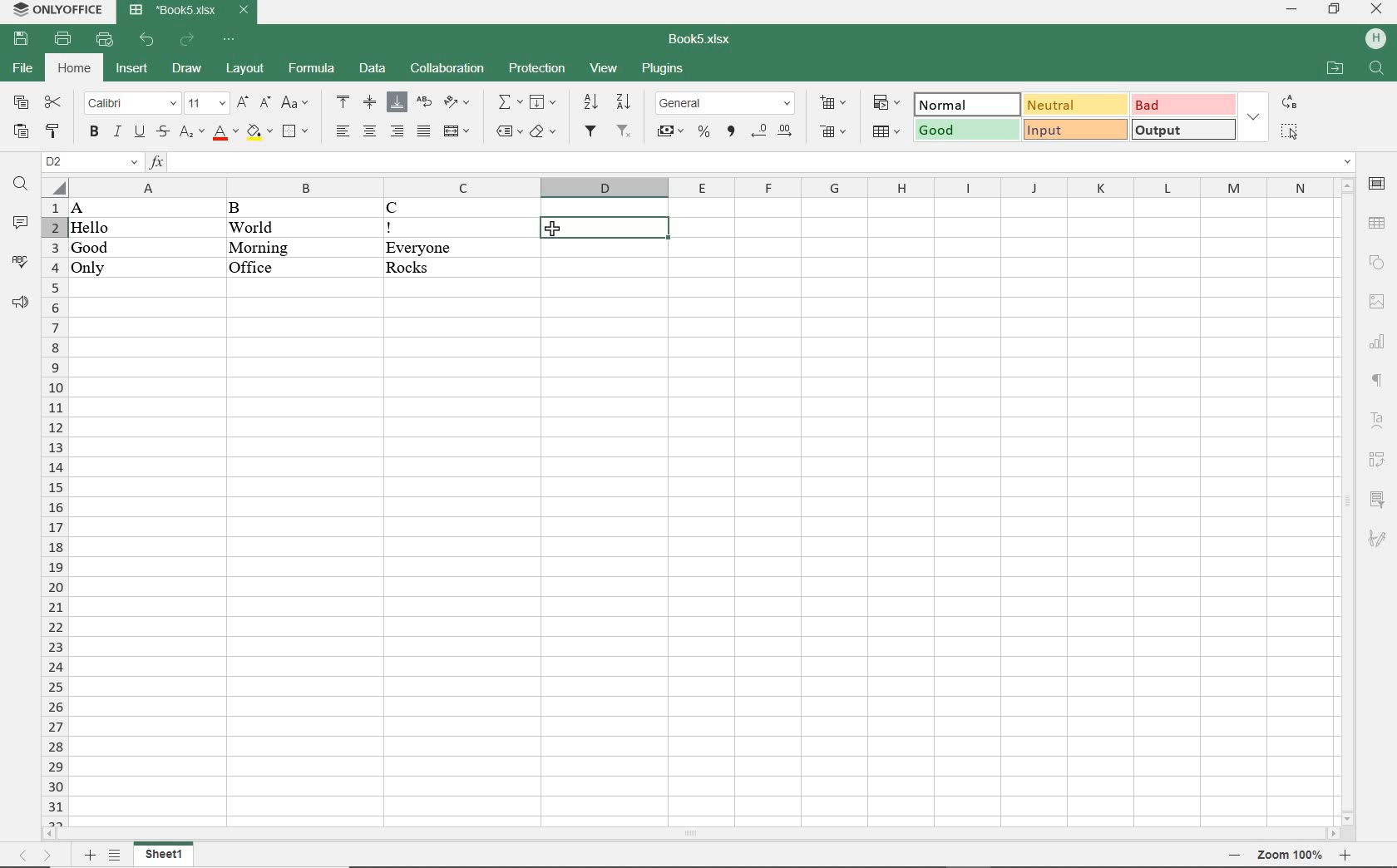 This screenshot has height=868, width=1397. What do you see at coordinates (1334, 833) in the screenshot?
I see `move right` at bounding box center [1334, 833].